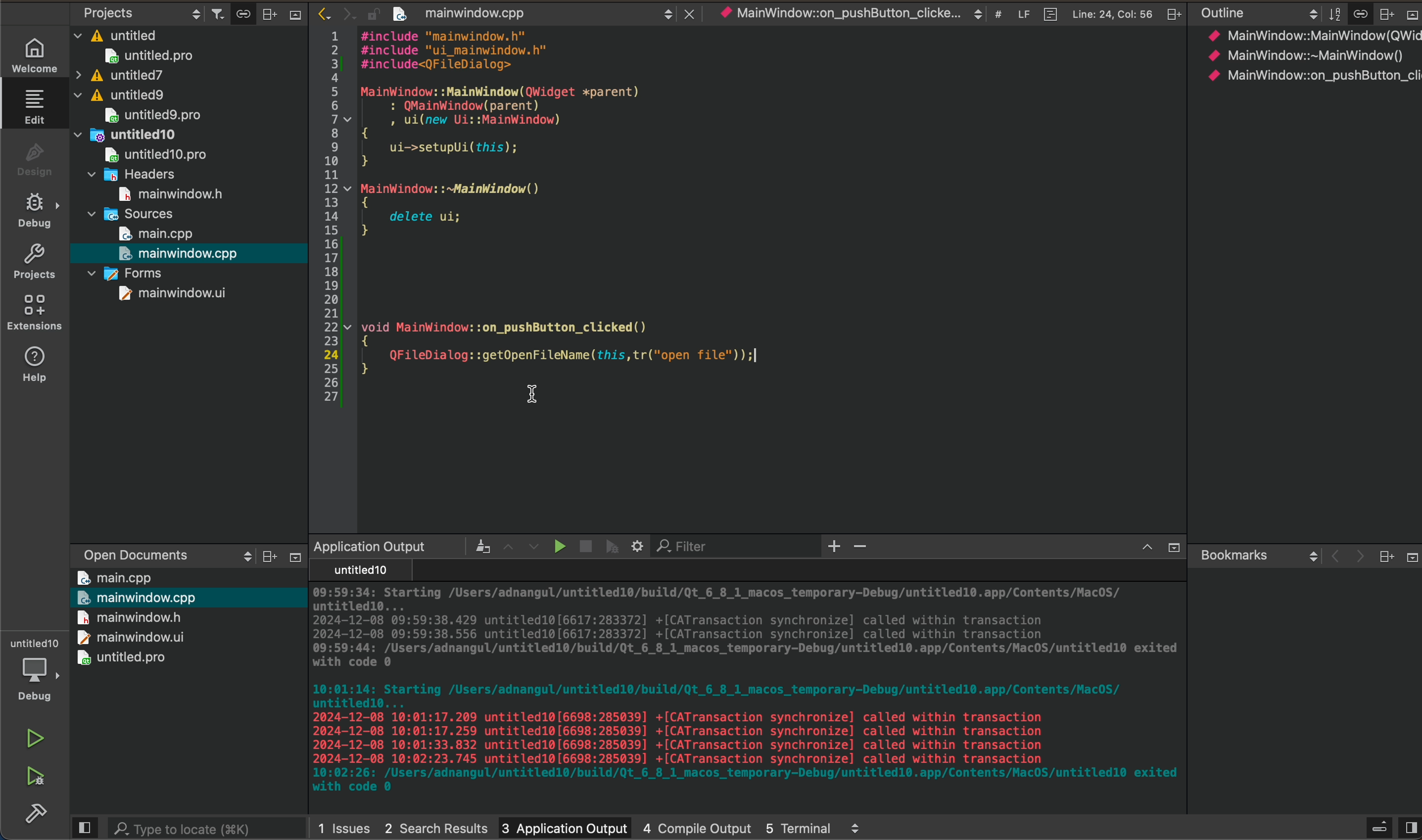  What do you see at coordinates (119, 75) in the screenshot?
I see `untitled7` at bounding box center [119, 75].